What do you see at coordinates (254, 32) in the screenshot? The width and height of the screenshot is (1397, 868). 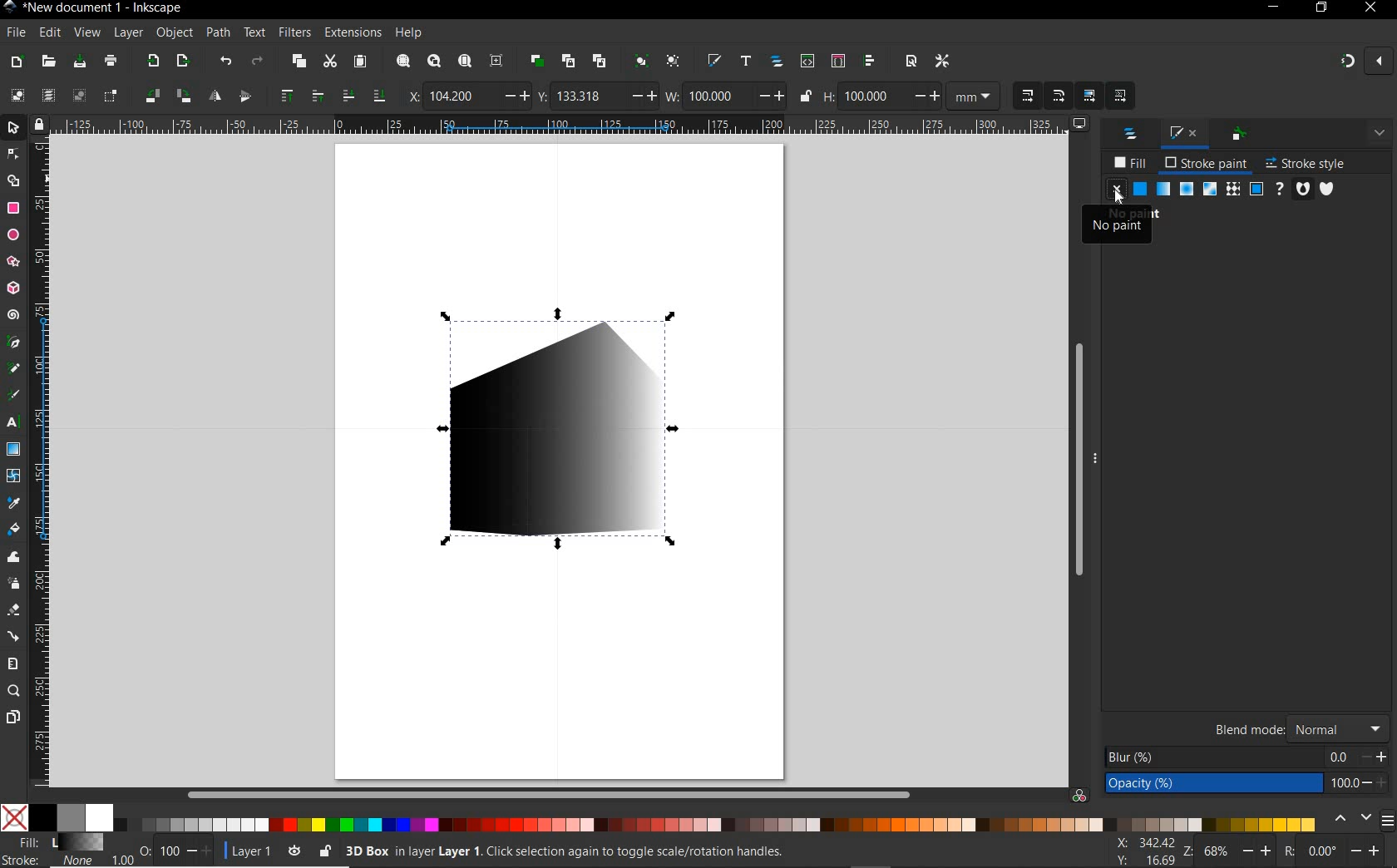 I see `TEXT` at bounding box center [254, 32].